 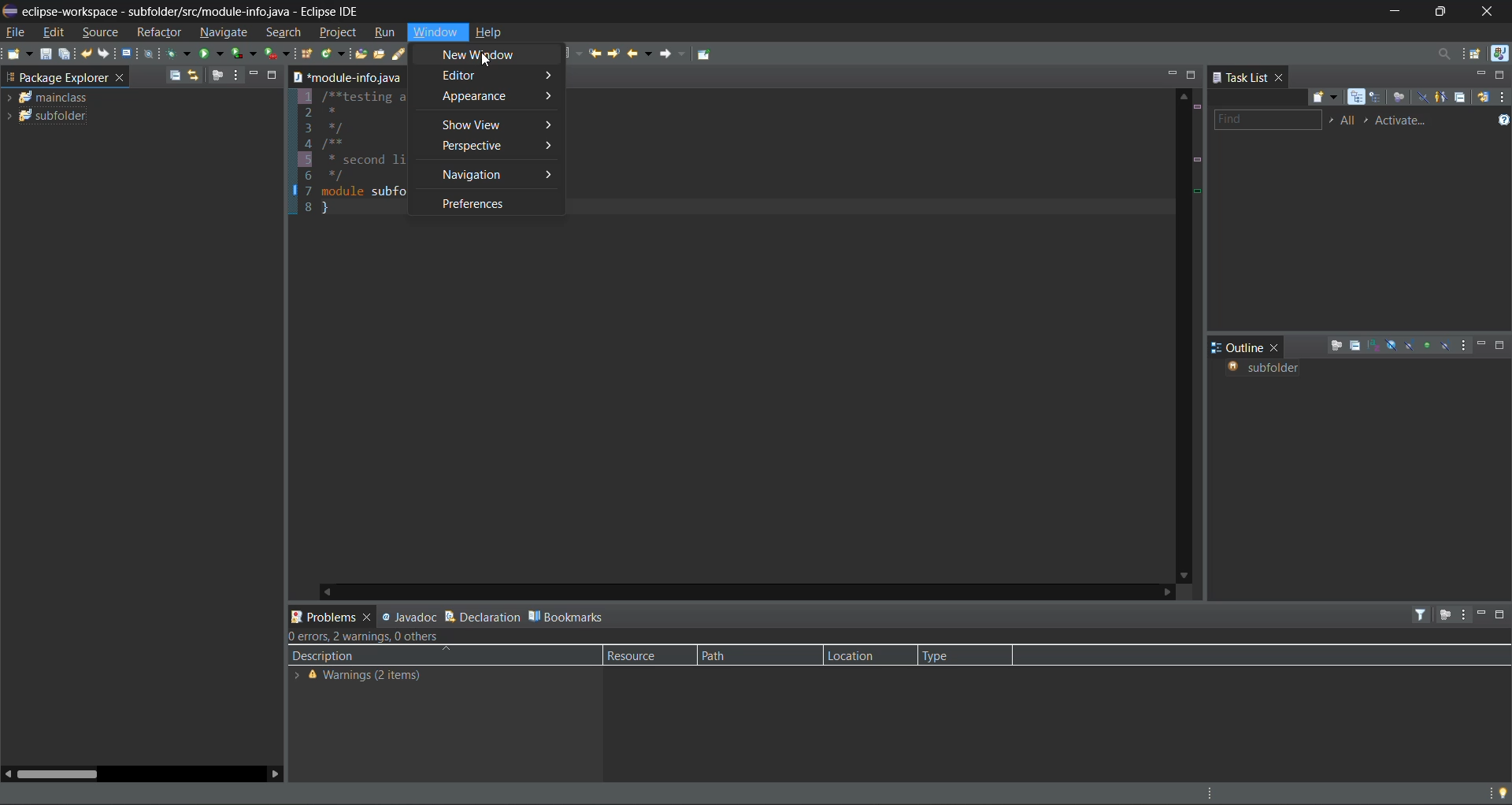 I want to click on show view, so click(x=495, y=124).